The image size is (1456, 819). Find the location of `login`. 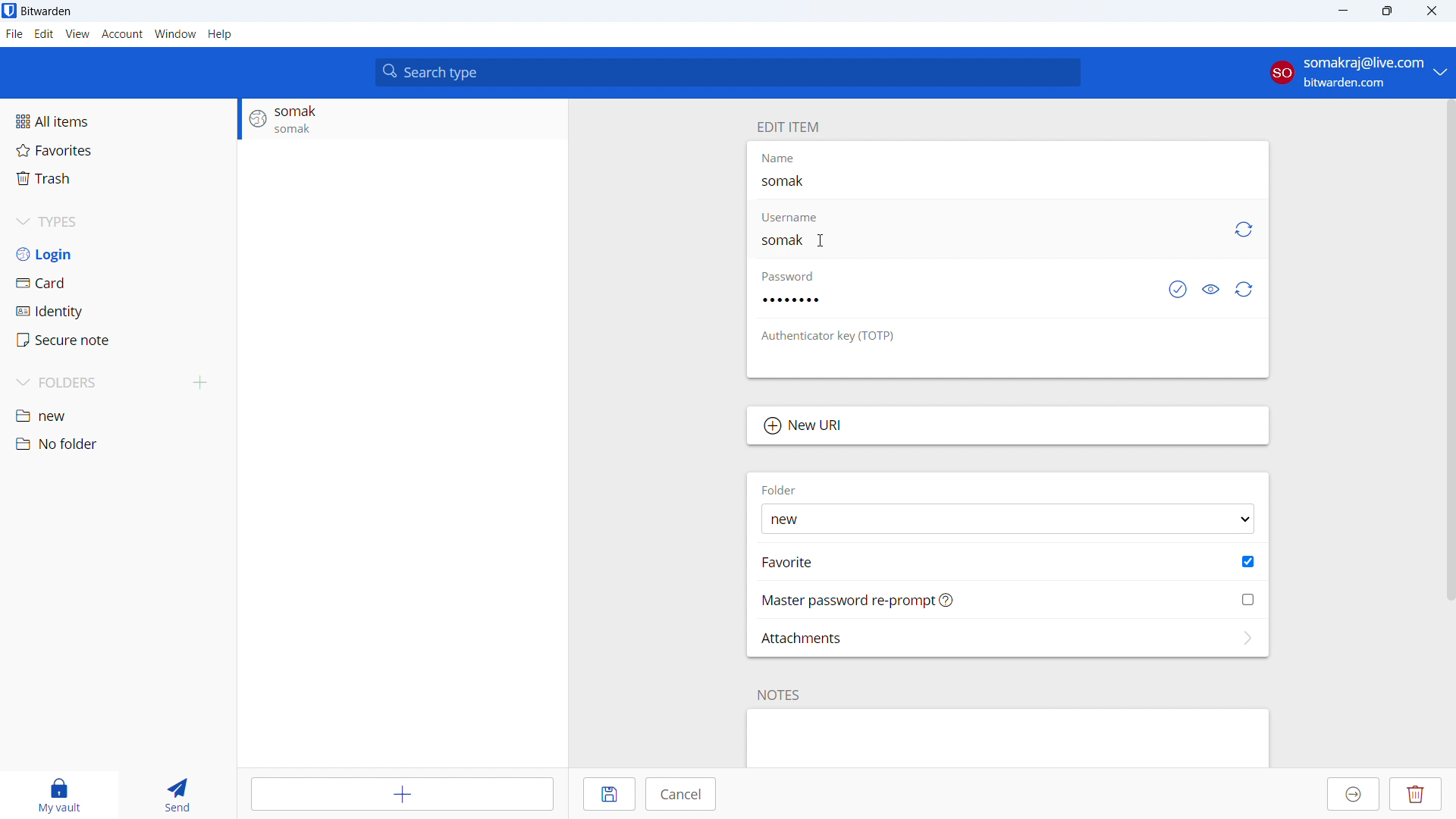

login is located at coordinates (118, 253).